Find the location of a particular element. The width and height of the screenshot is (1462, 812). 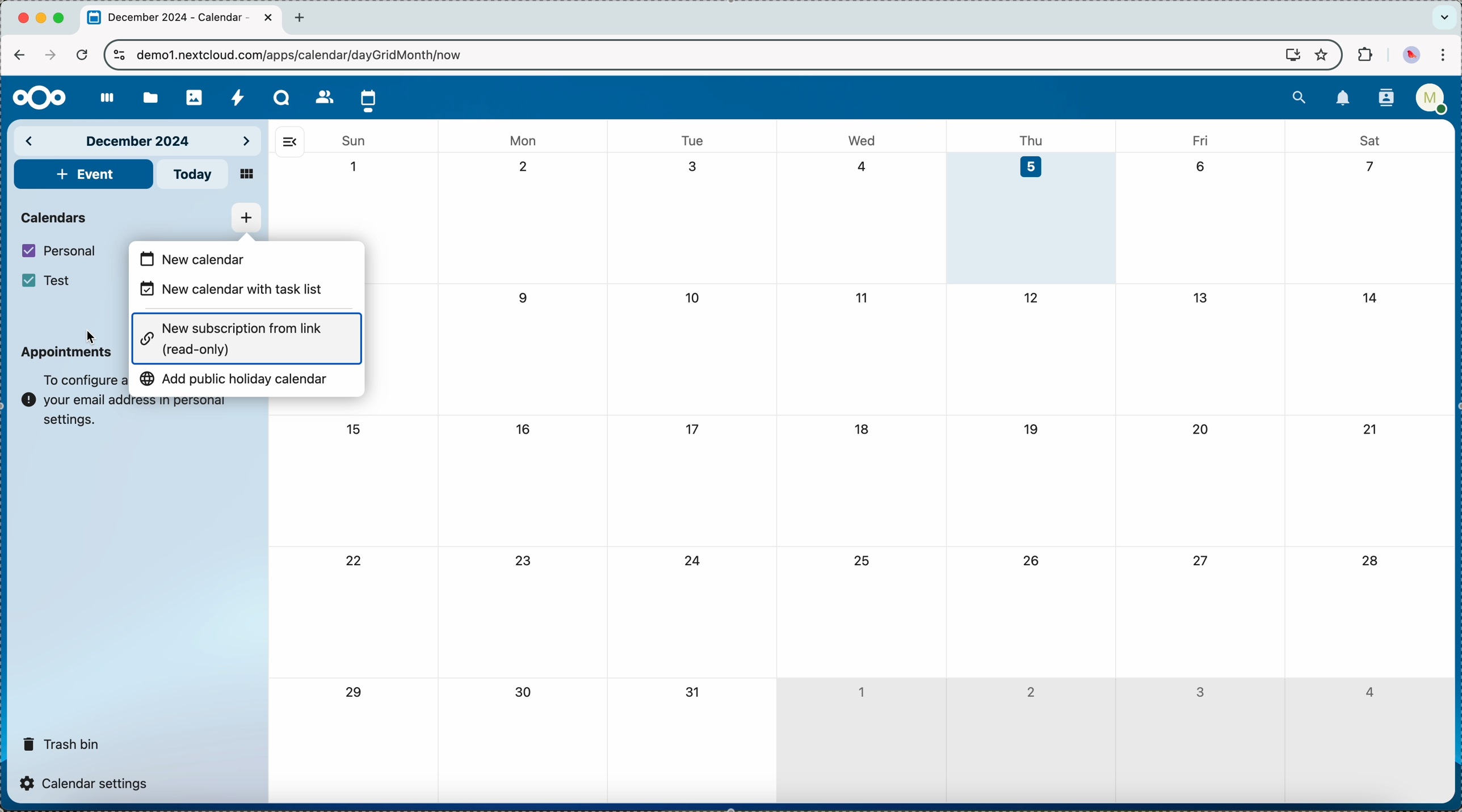

mon is located at coordinates (524, 137).